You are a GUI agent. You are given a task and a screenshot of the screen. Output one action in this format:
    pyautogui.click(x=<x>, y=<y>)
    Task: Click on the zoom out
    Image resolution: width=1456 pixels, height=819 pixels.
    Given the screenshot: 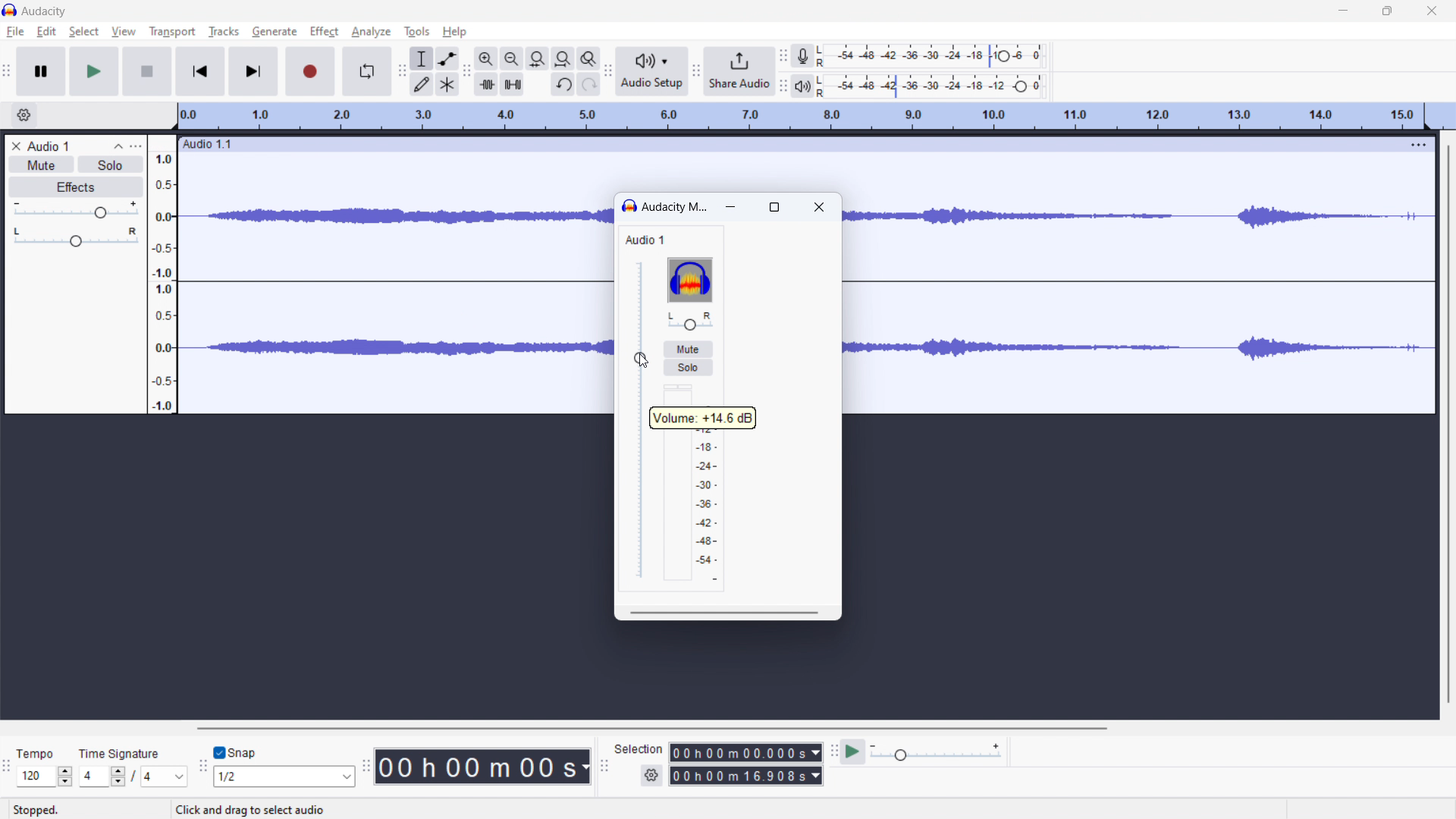 What is the action you would take?
    pyautogui.click(x=513, y=58)
    